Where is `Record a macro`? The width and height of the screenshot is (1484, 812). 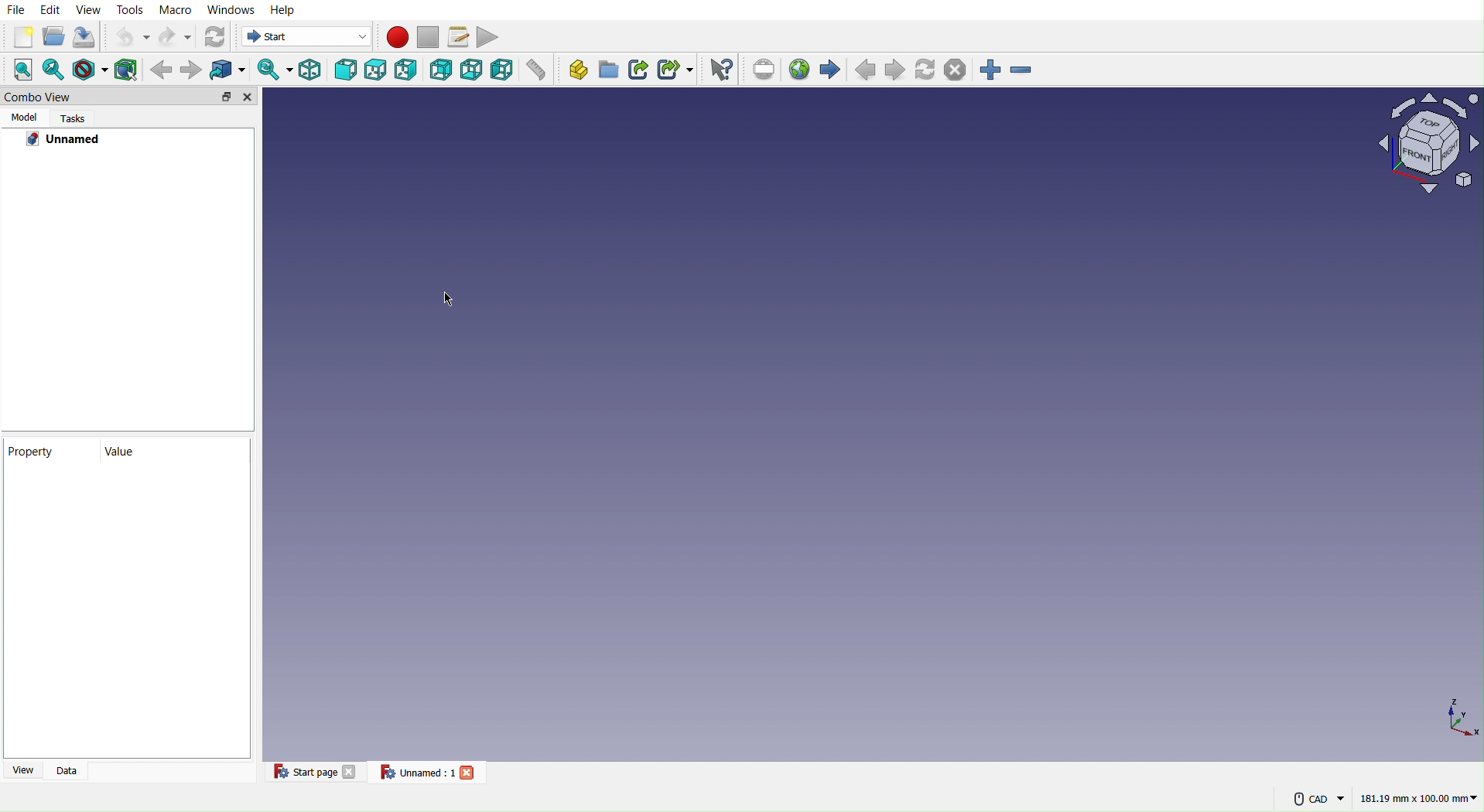
Record a macro is located at coordinates (398, 36).